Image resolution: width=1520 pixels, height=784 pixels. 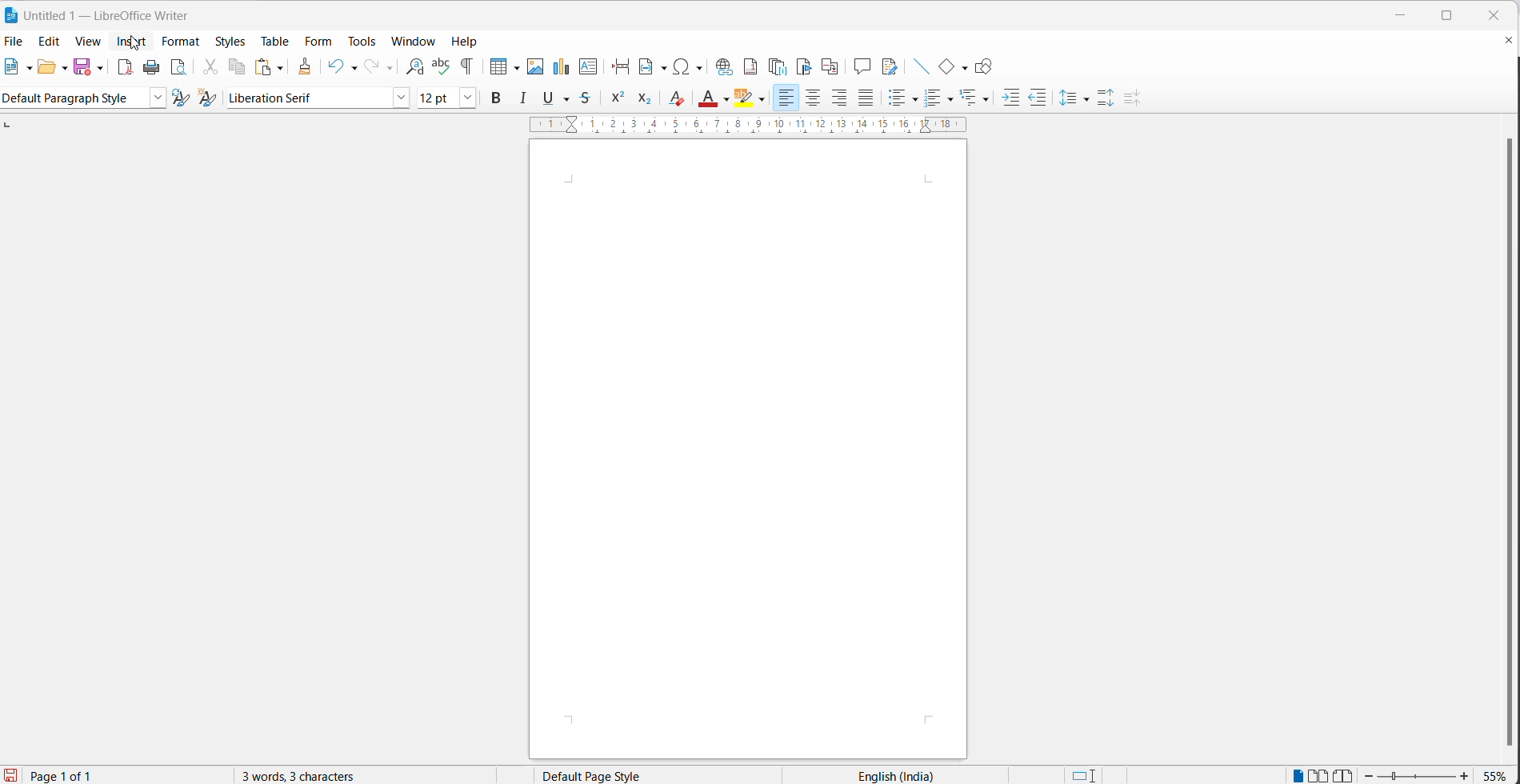 I want to click on zoom increase, so click(x=1467, y=775).